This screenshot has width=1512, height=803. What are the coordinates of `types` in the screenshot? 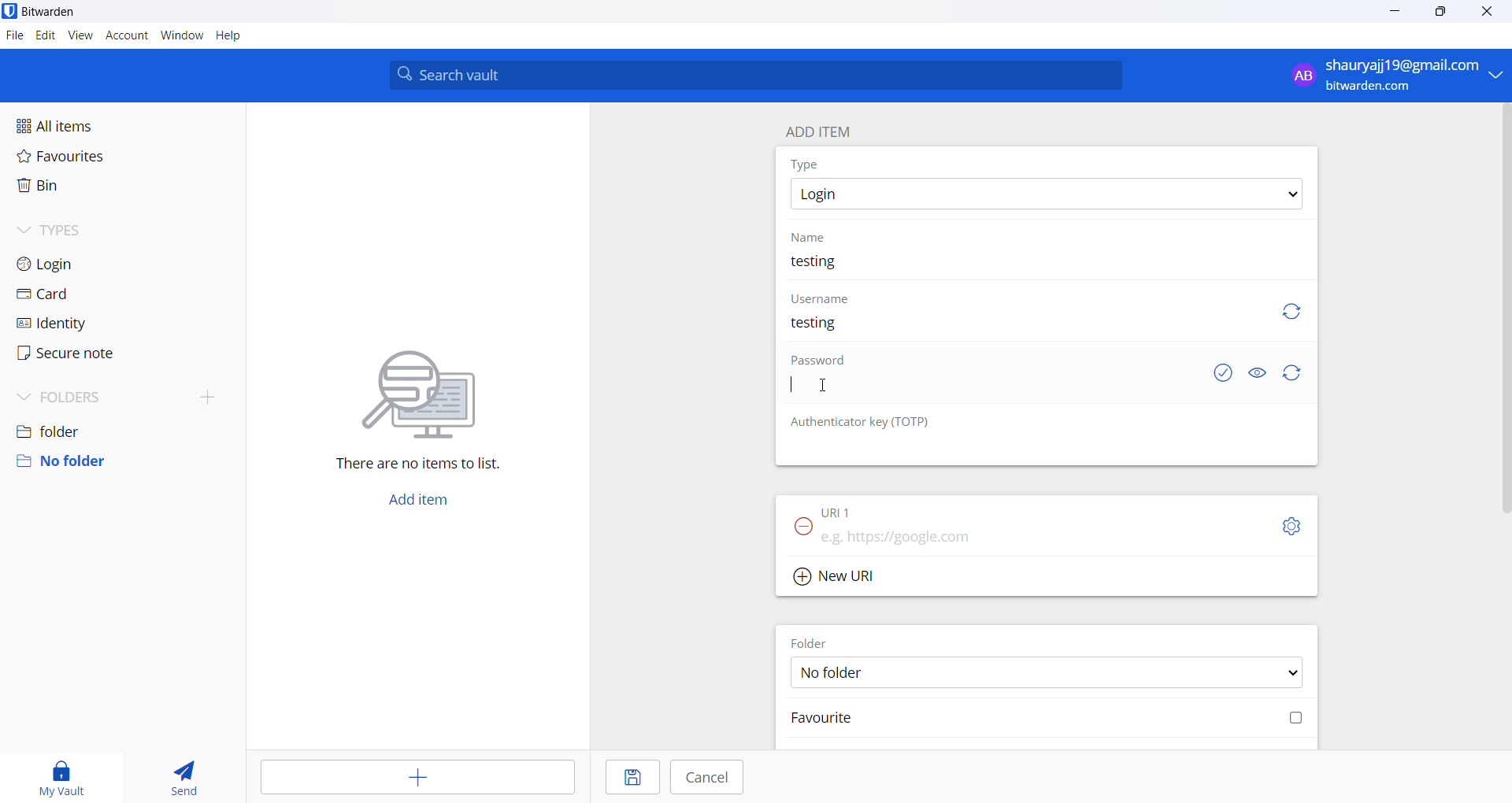 It's located at (87, 231).